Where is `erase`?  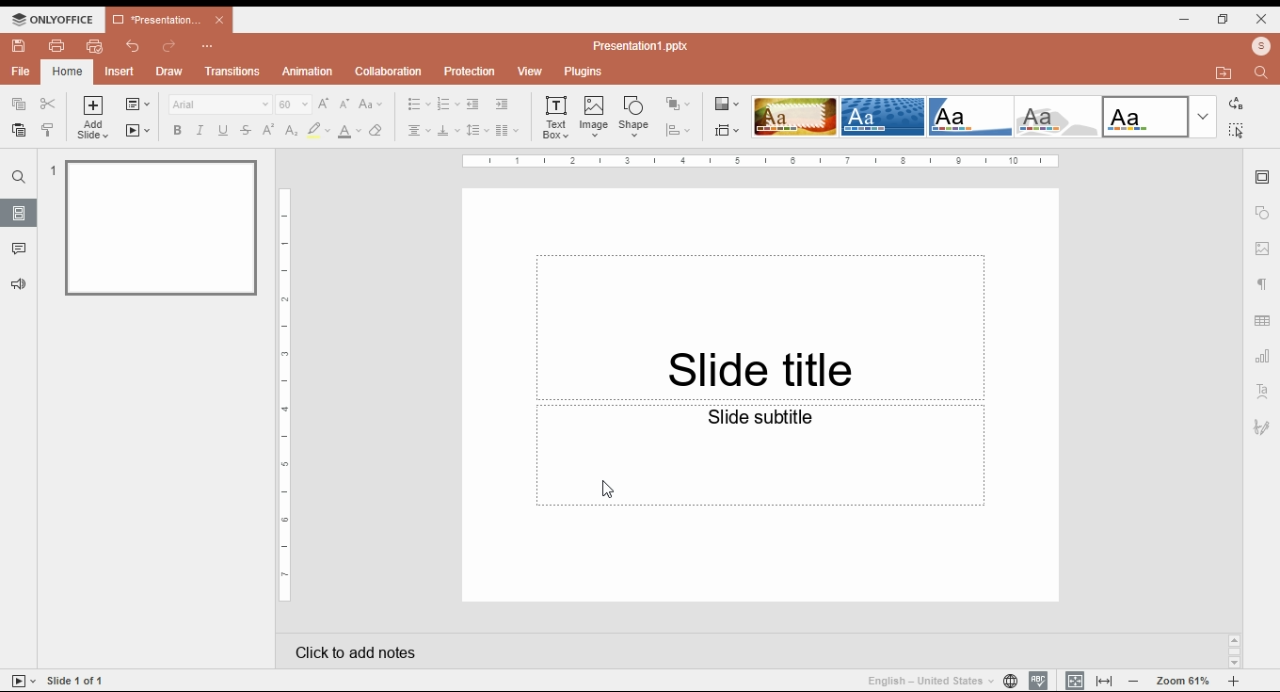
erase is located at coordinates (377, 131).